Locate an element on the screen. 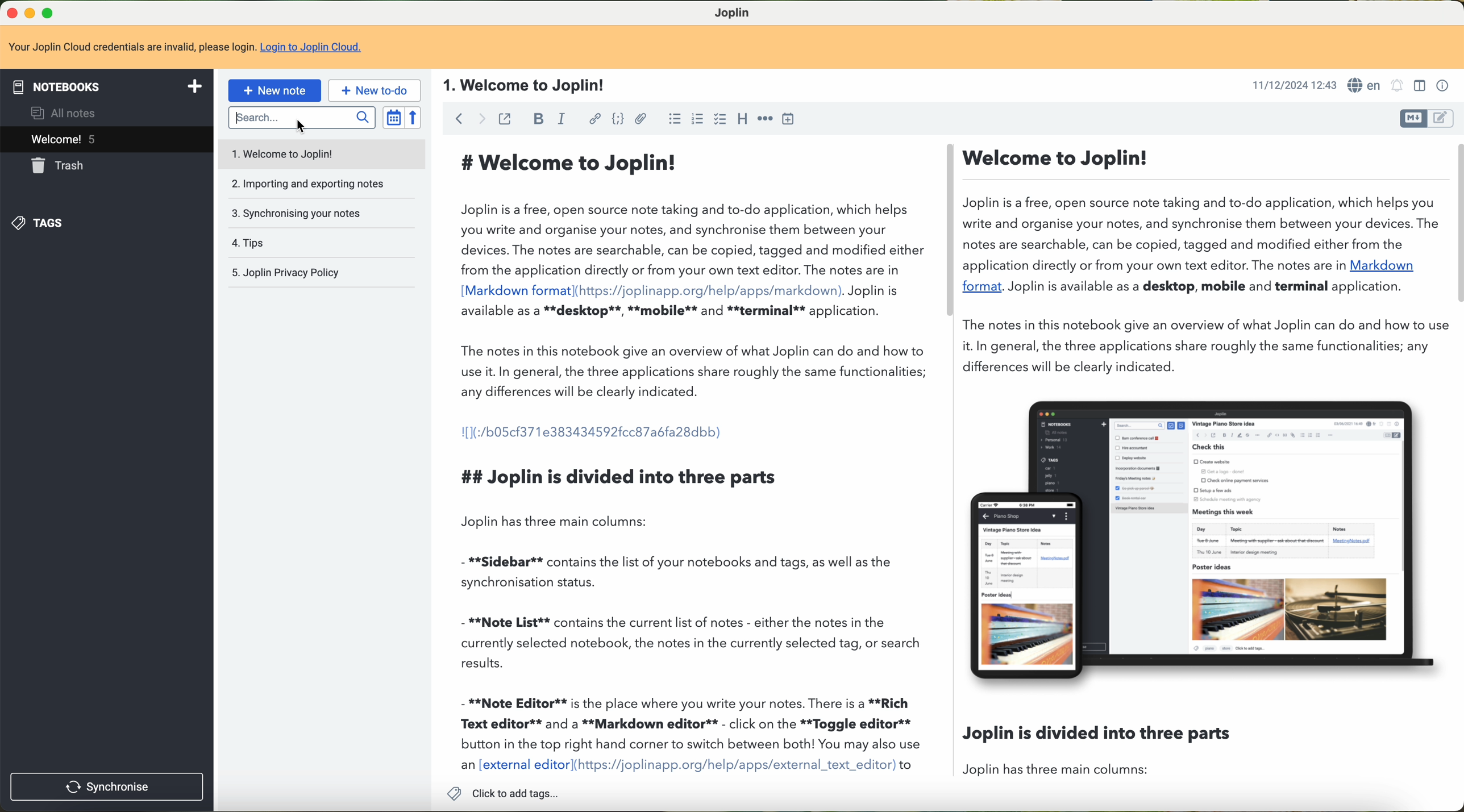  synchronising your notes is located at coordinates (321, 213).